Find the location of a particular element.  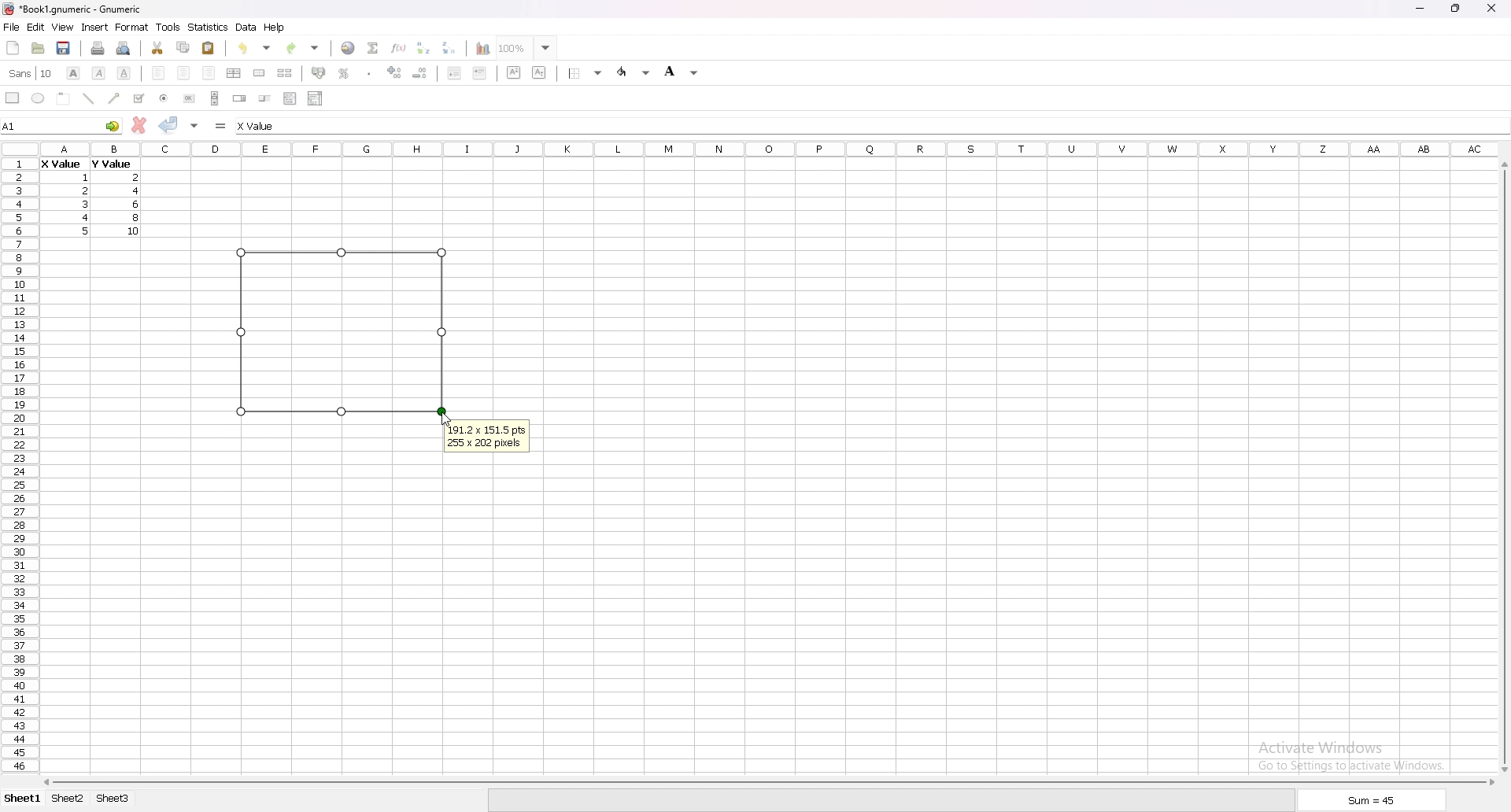

resize is located at coordinates (1457, 9).